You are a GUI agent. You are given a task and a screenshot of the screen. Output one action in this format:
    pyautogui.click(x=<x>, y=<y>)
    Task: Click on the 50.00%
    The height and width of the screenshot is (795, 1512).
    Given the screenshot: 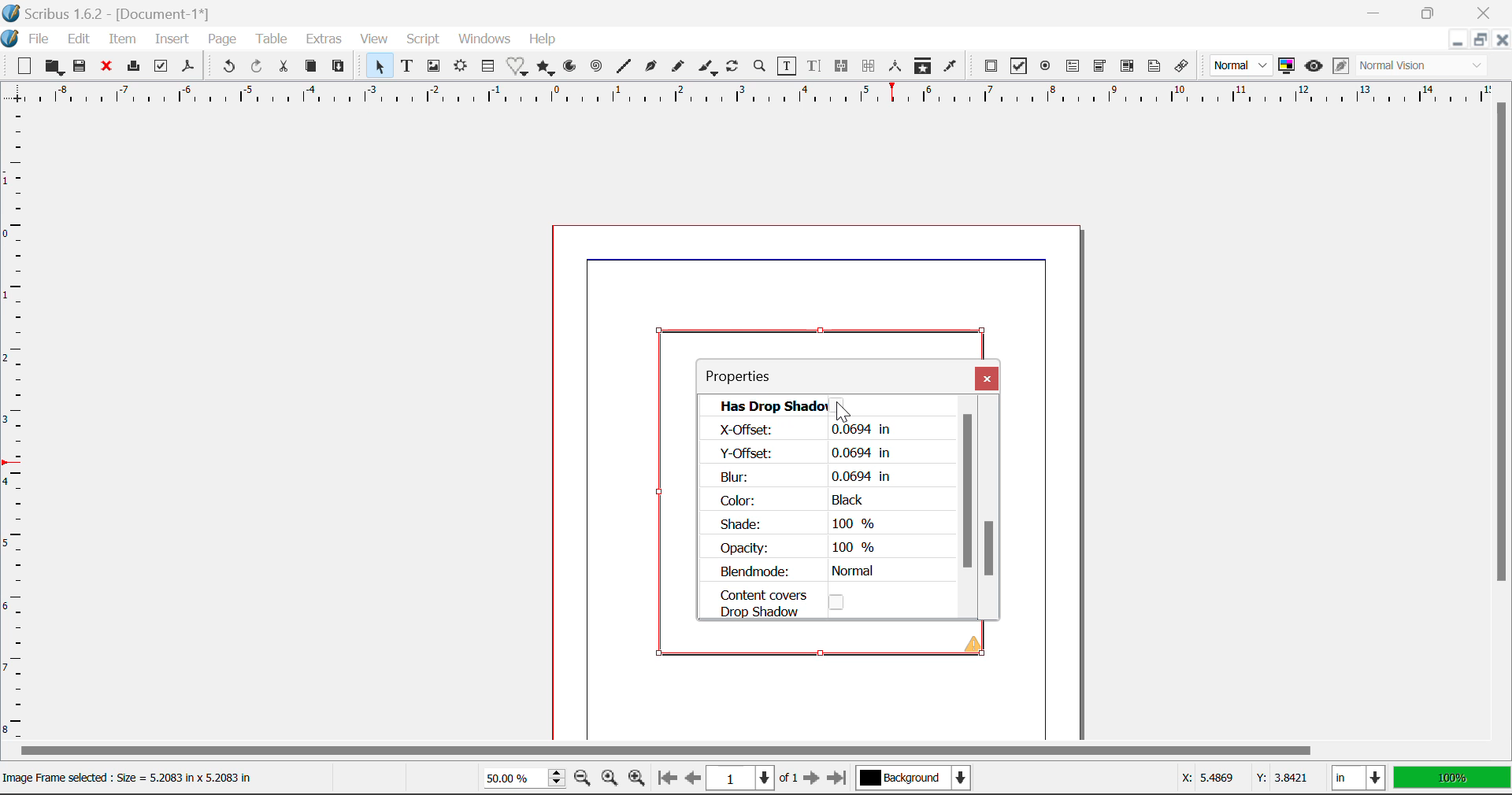 What is the action you would take?
    pyautogui.click(x=521, y=777)
    